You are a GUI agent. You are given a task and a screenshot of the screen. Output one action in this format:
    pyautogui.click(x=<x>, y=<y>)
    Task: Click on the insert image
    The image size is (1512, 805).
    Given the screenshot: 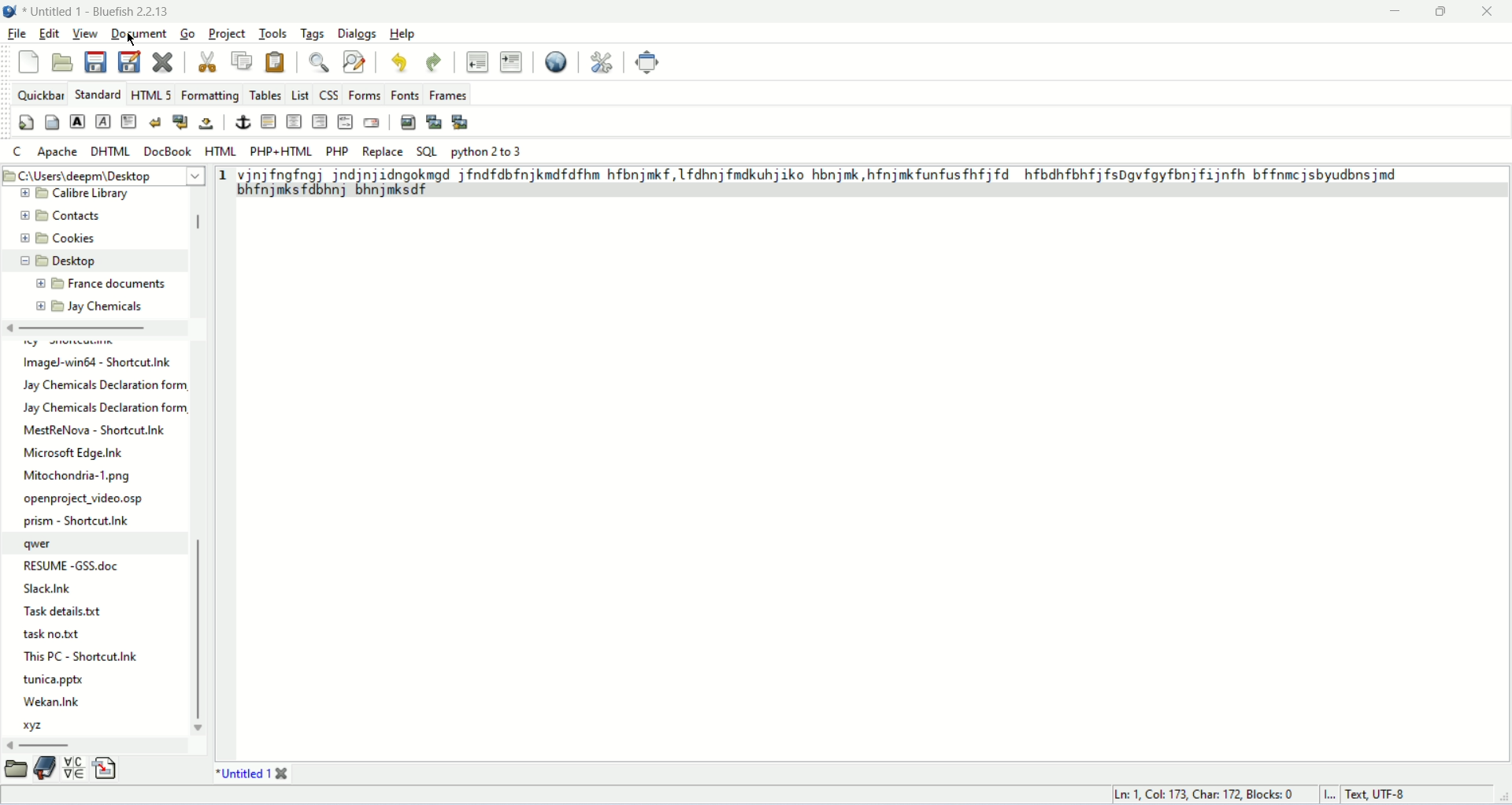 What is the action you would take?
    pyautogui.click(x=406, y=121)
    